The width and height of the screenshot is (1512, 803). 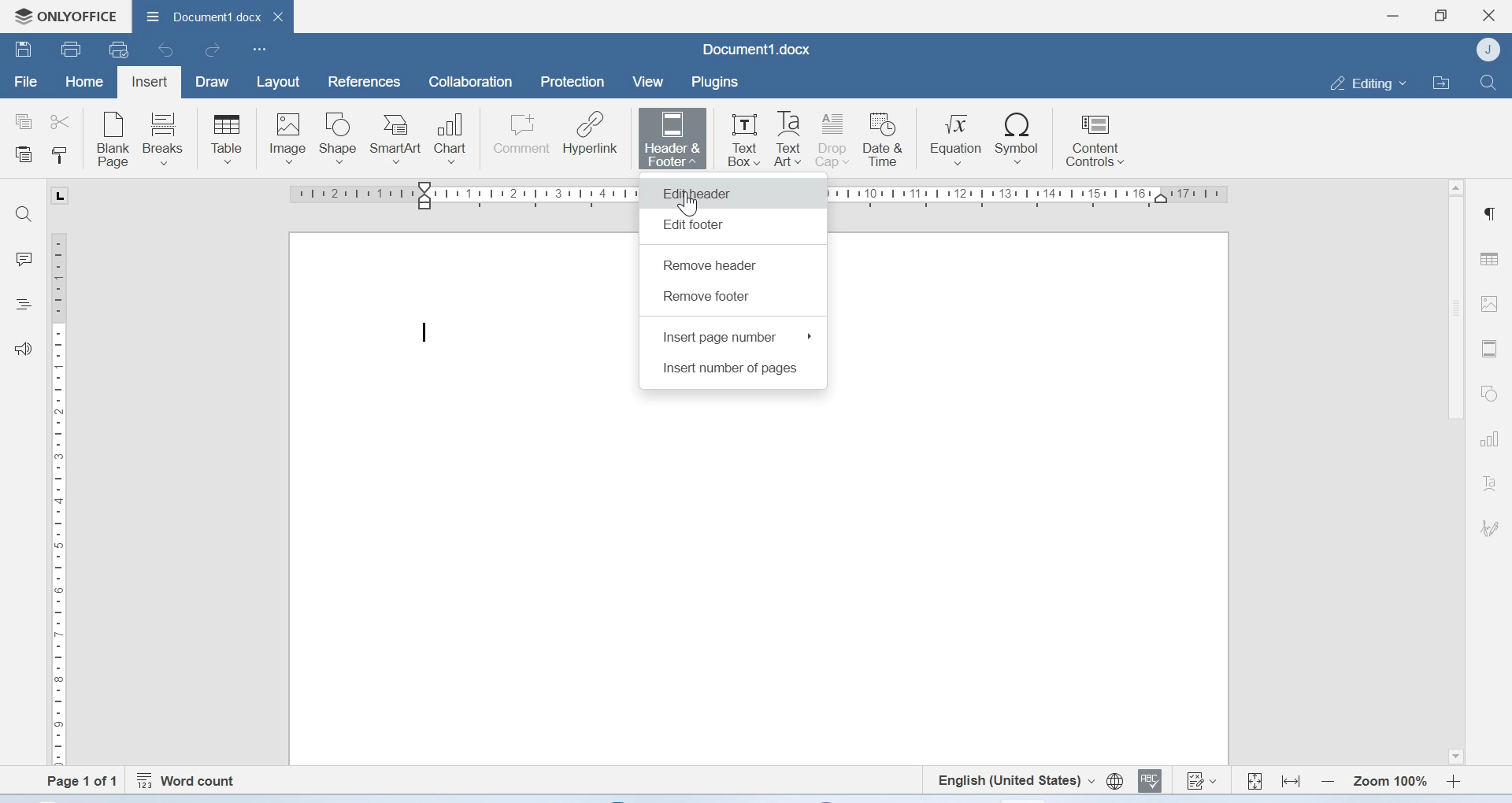 I want to click on text cursor, so click(x=423, y=333).